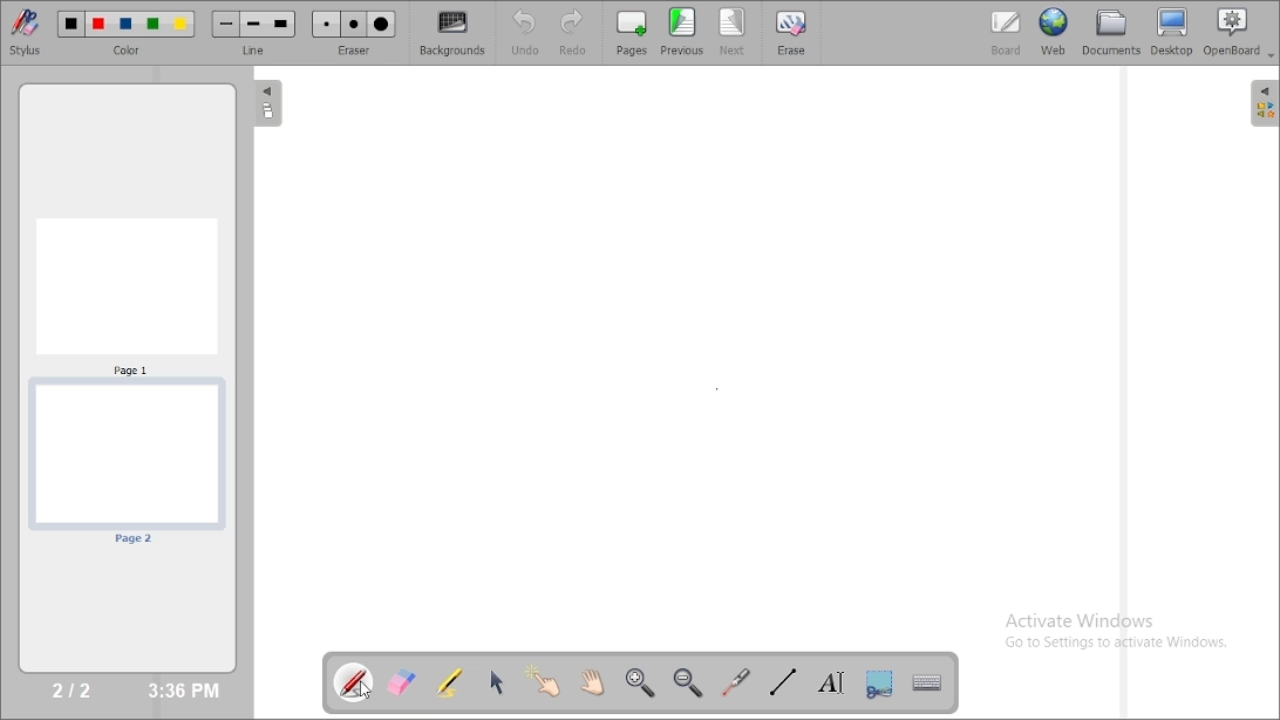 Image resolution: width=1280 pixels, height=720 pixels. Describe the element at coordinates (454, 33) in the screenshot. I see `backgrounds` at that location.